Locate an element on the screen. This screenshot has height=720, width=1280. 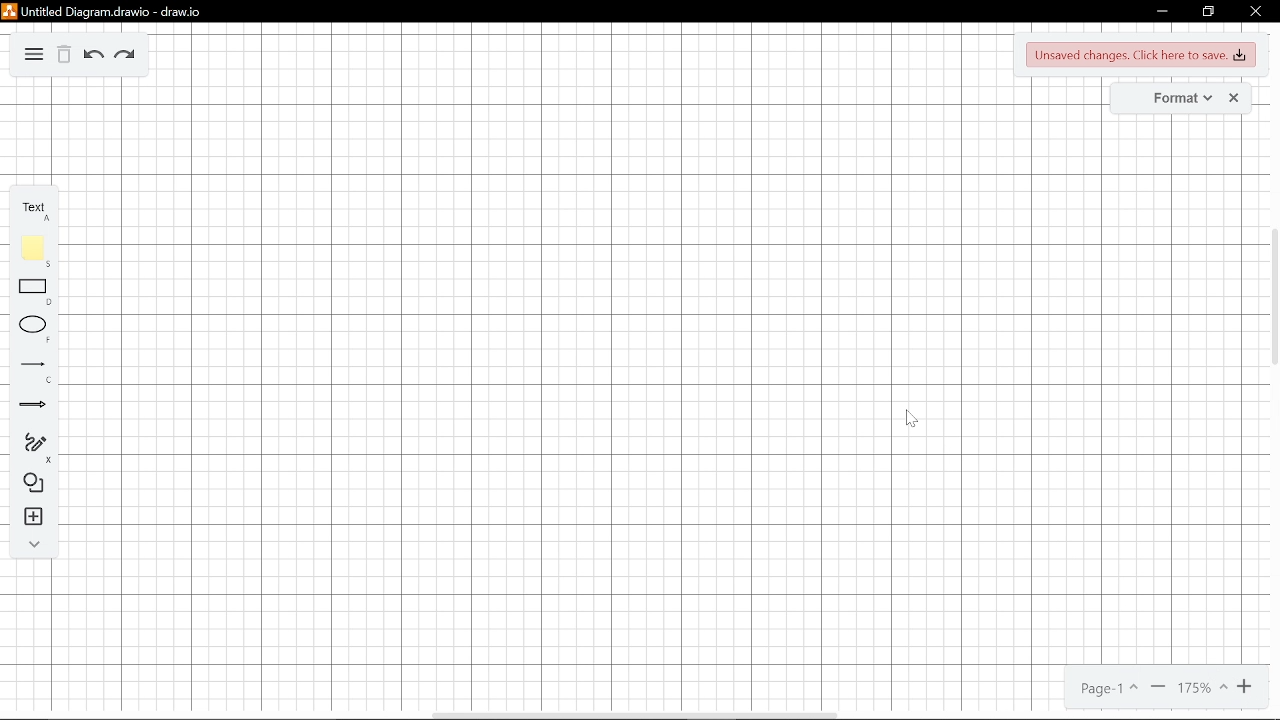
Untitled Diagram.drawio - draw.io is located at coordinates (113, 12).